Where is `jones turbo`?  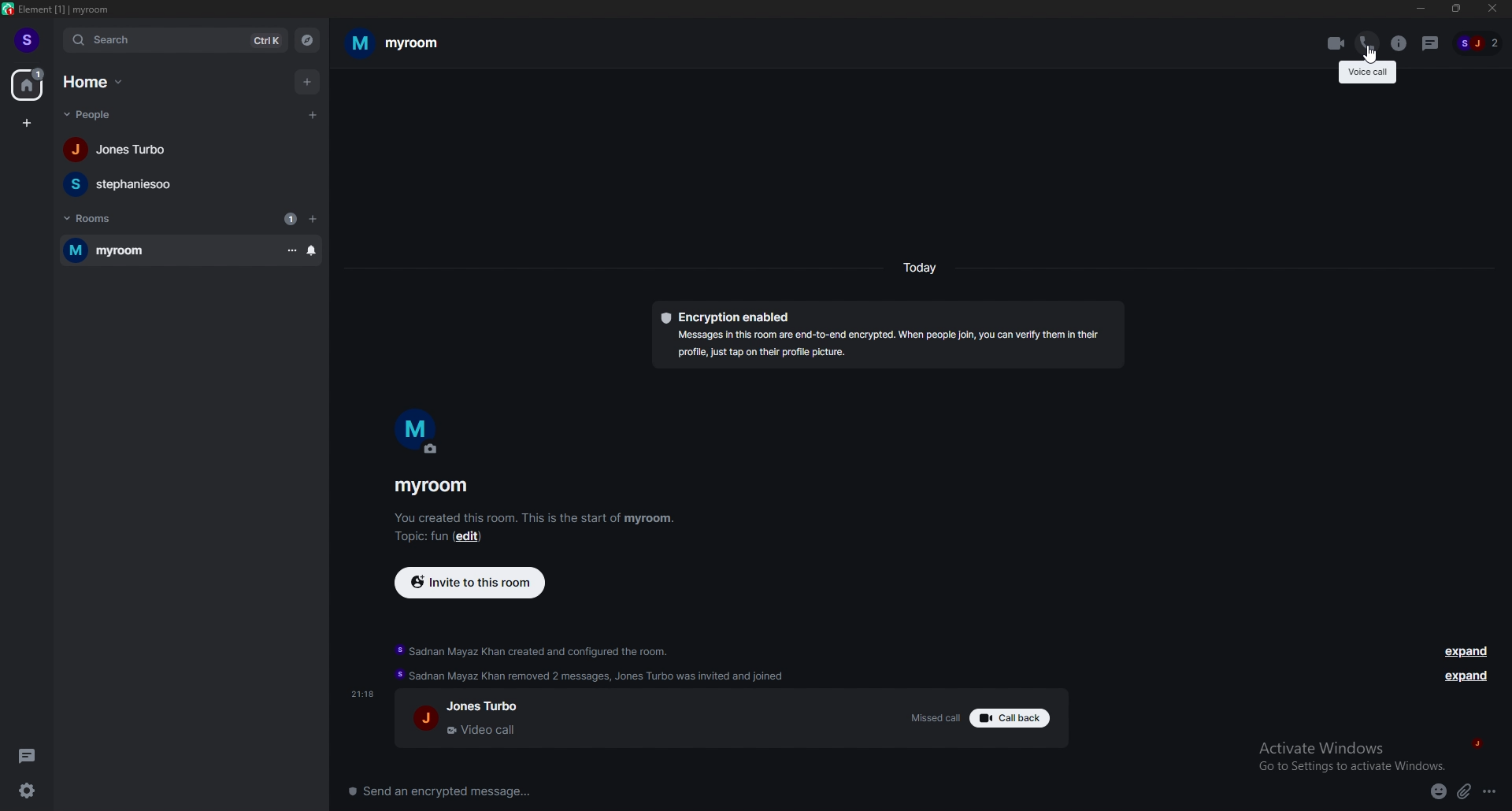
jones turbo is located at coordinates (190, 150).